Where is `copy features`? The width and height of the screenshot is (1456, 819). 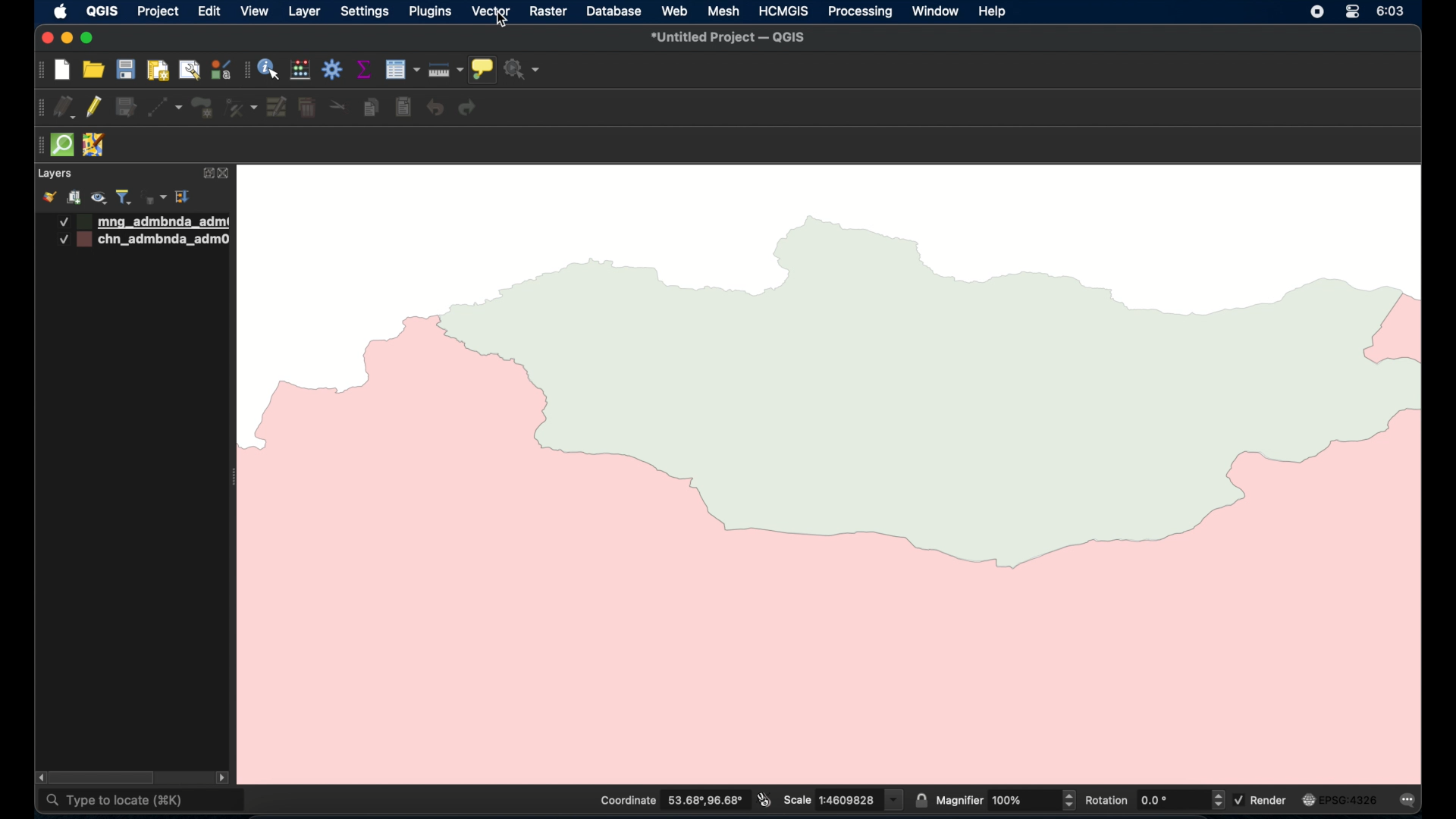 copy features is located at coordinates (372, 108).